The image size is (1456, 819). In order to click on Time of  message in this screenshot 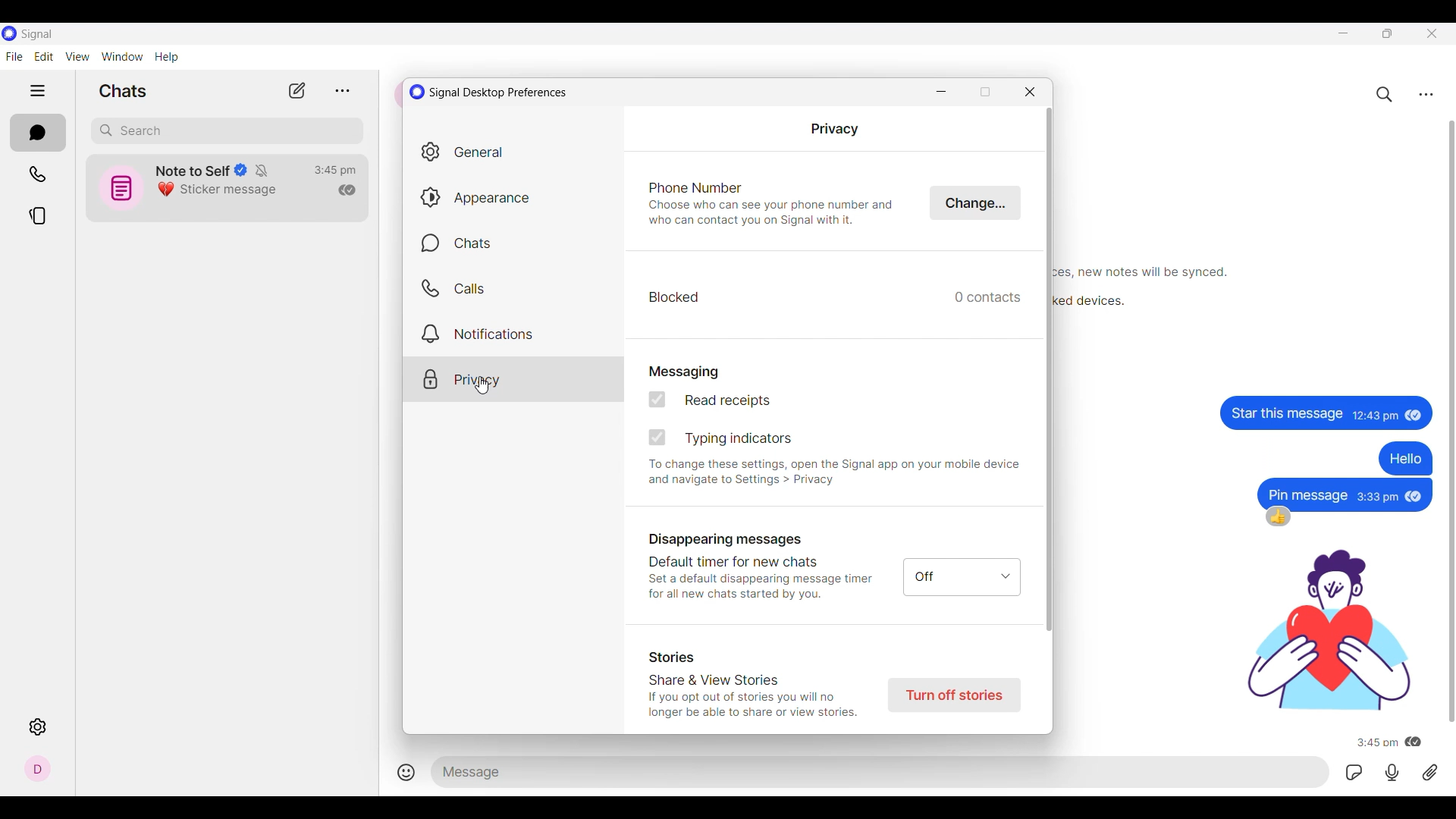, I will do `click(1375, 418)`.